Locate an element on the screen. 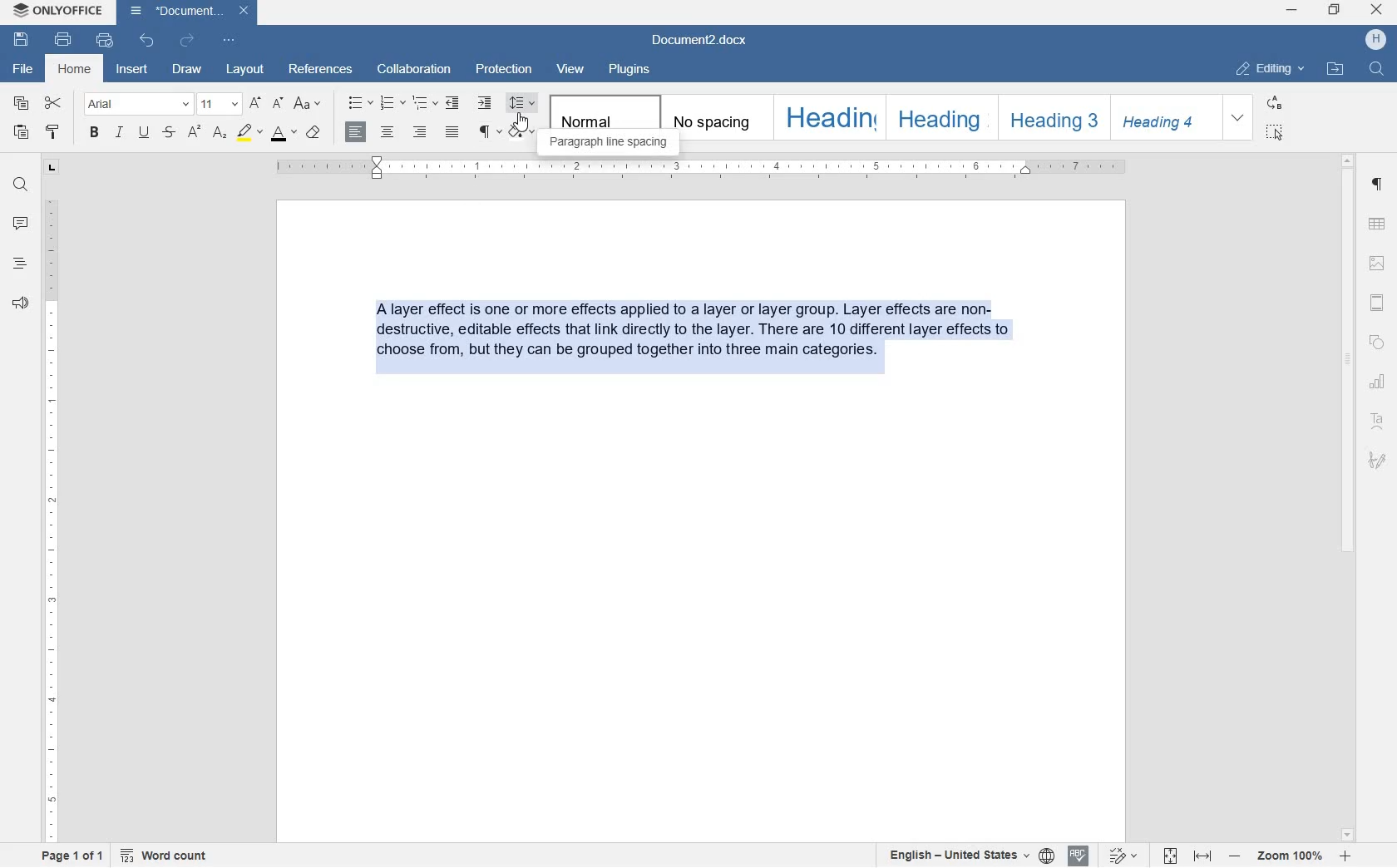 The width and height of the screenshot is (1397, 868). font color is located at coordinates (283, 134).